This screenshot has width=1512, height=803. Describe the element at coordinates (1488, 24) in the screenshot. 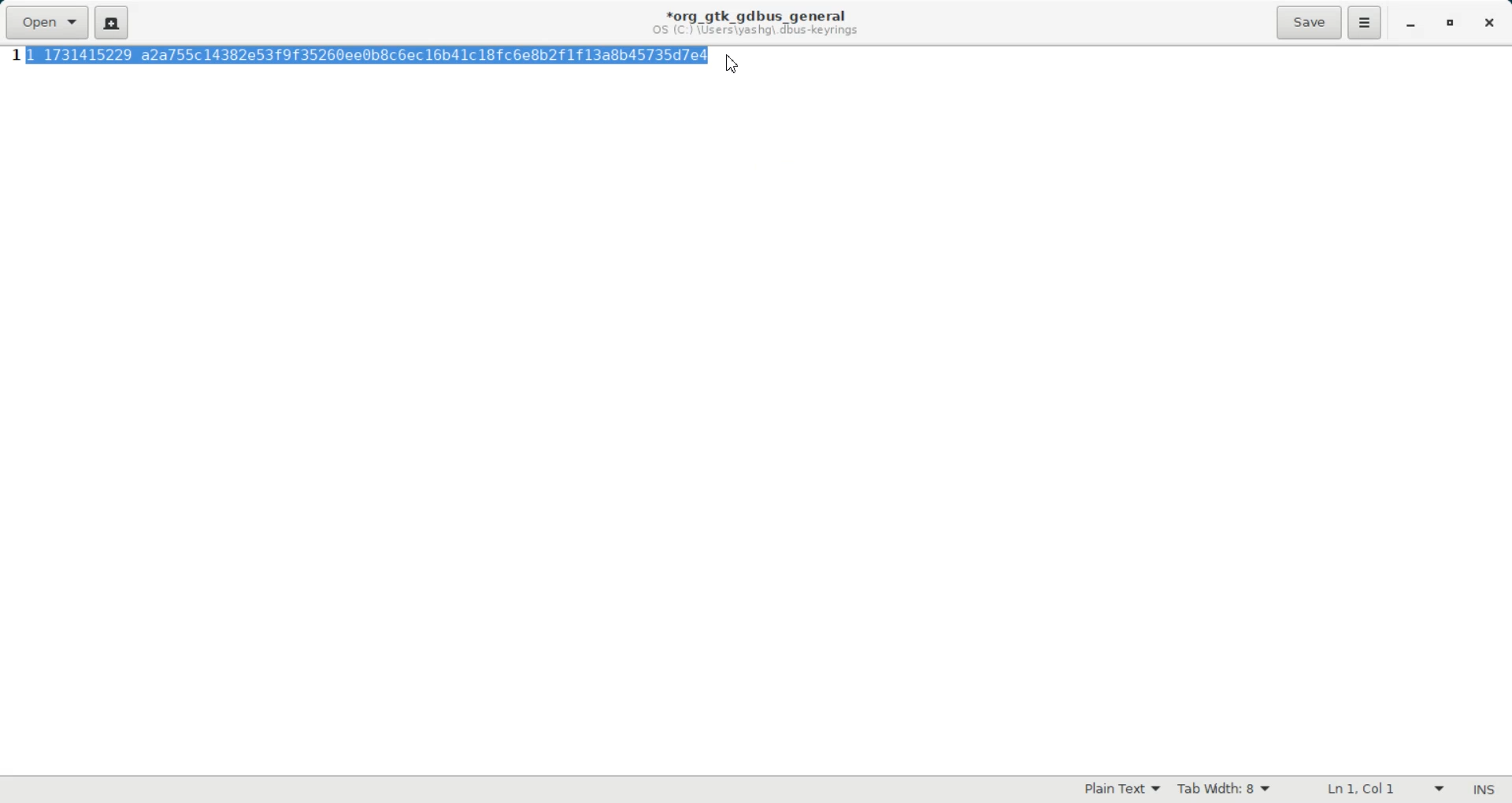

I see `Close` at that location.